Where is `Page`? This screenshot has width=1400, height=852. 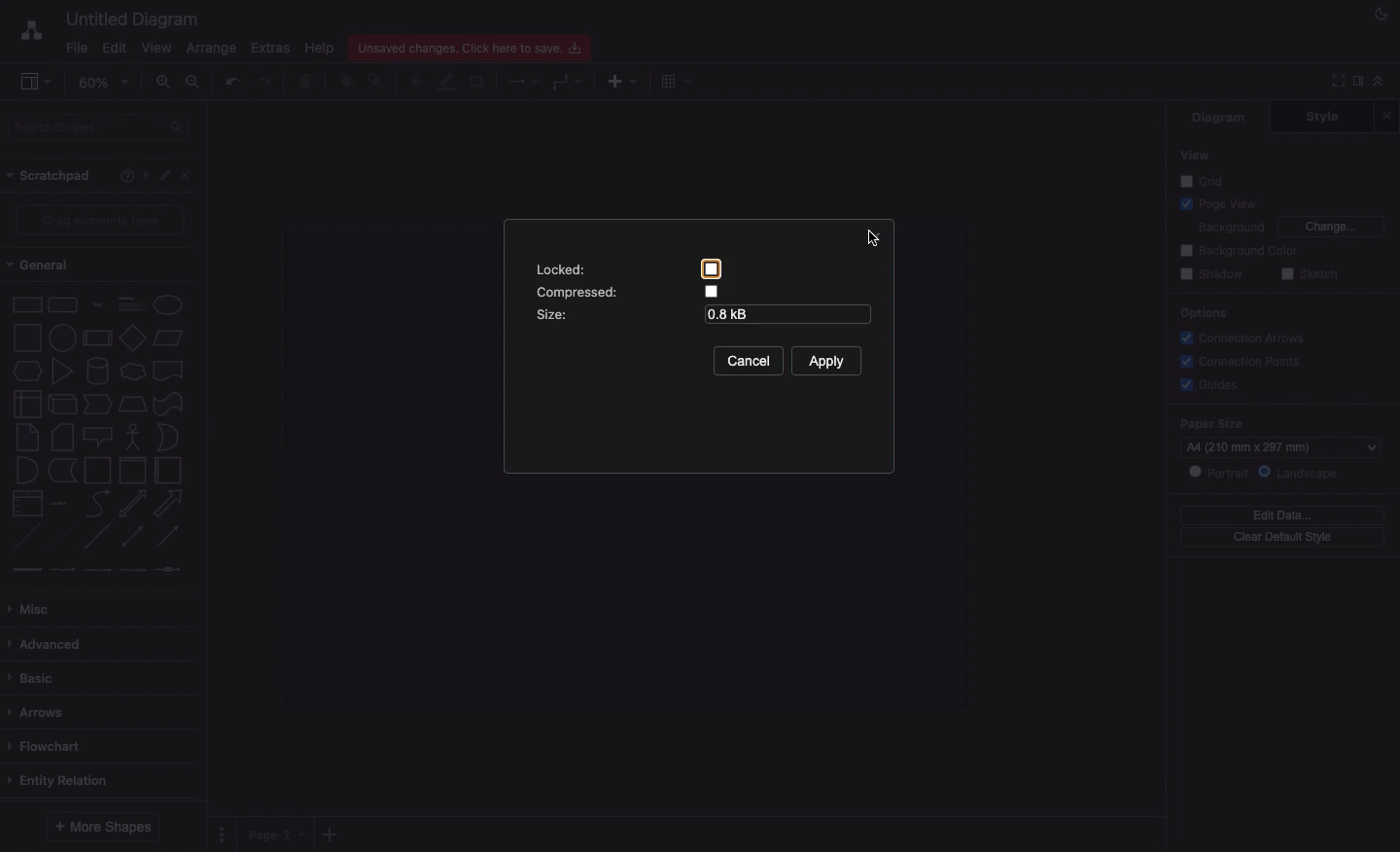
Page is located at coordinates (277, 834).